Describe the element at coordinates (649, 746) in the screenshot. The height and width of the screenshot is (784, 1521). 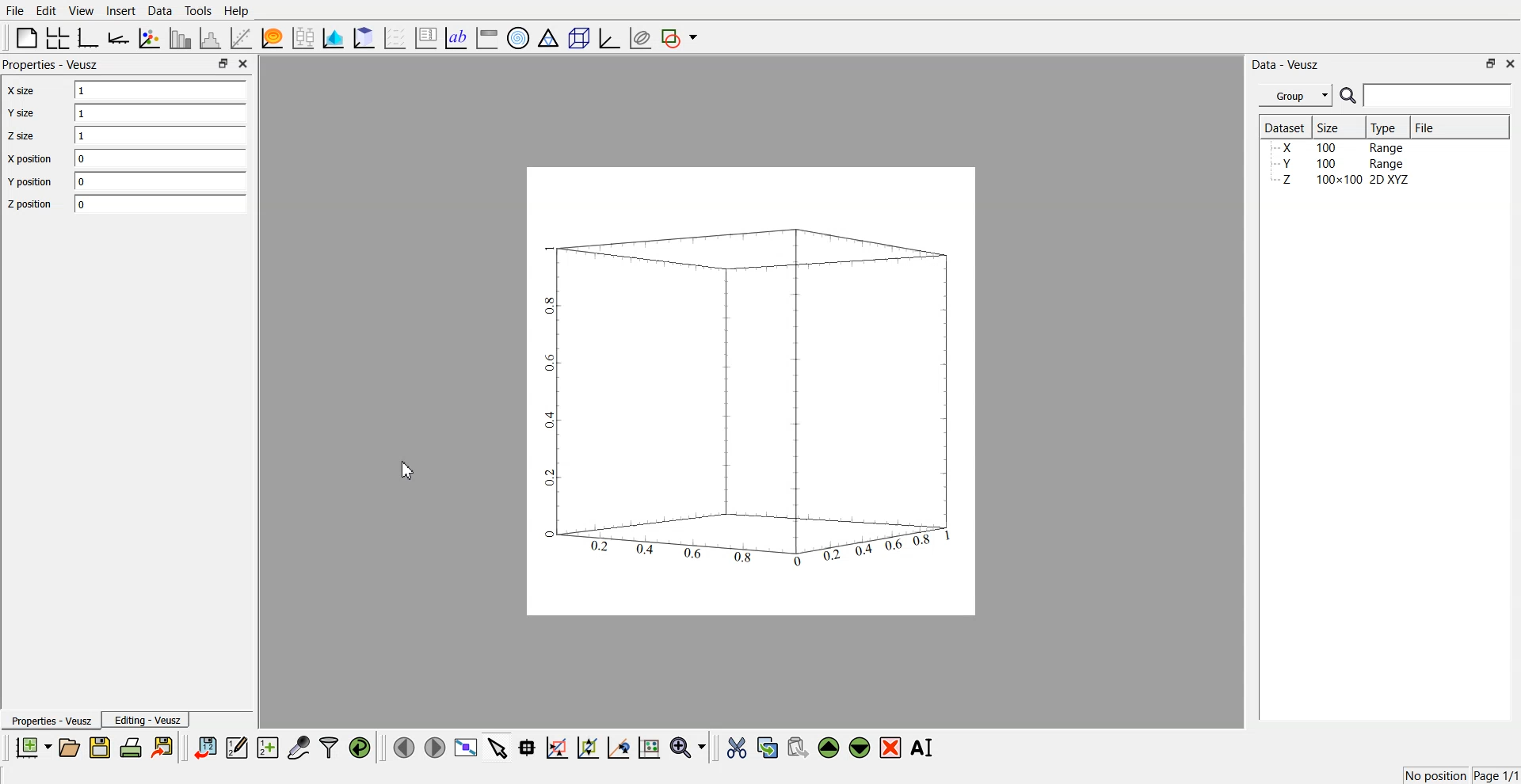
I see `Click to reset graph axes` at that location.